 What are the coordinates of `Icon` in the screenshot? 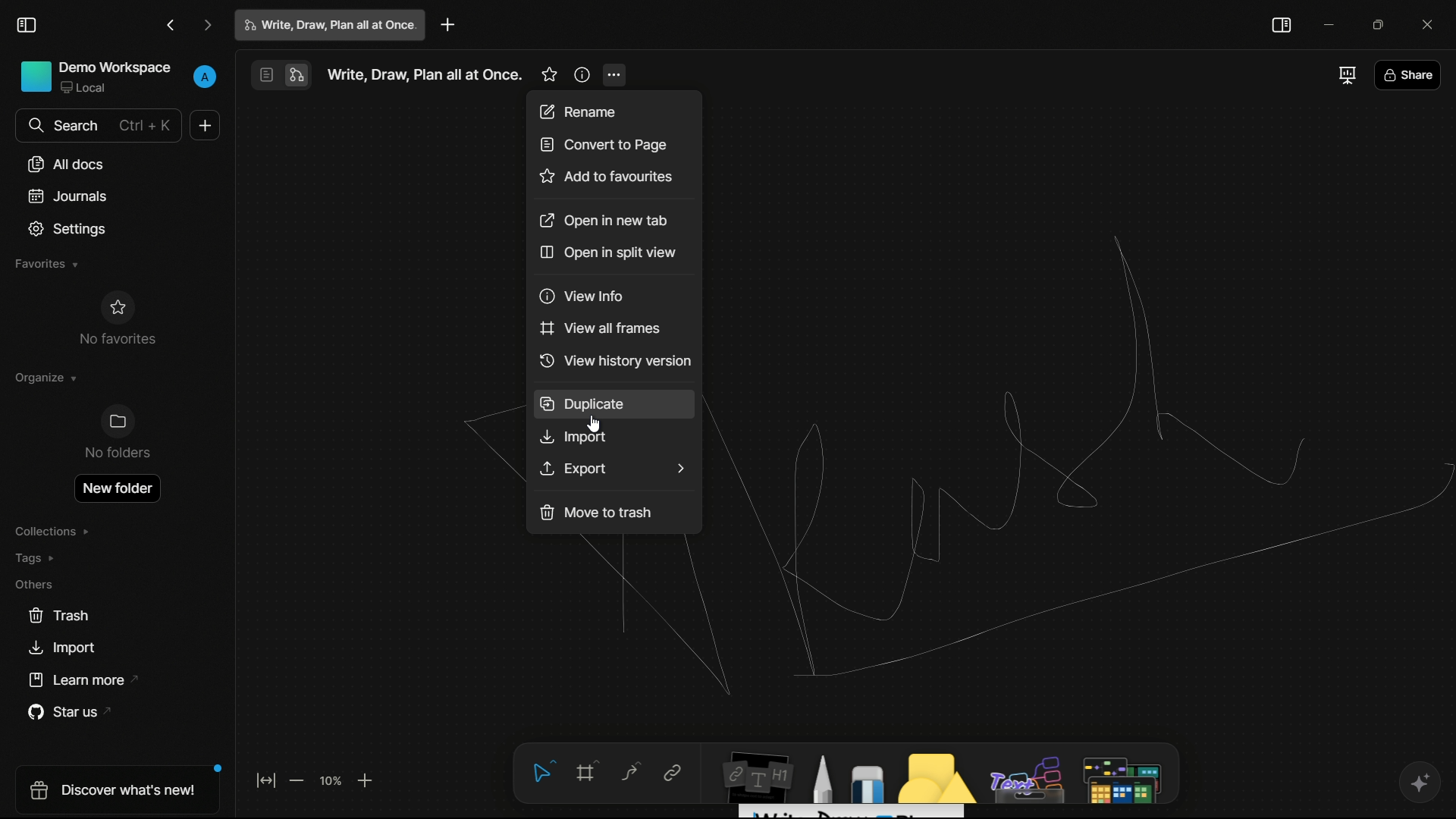 It's located at (117, 307).